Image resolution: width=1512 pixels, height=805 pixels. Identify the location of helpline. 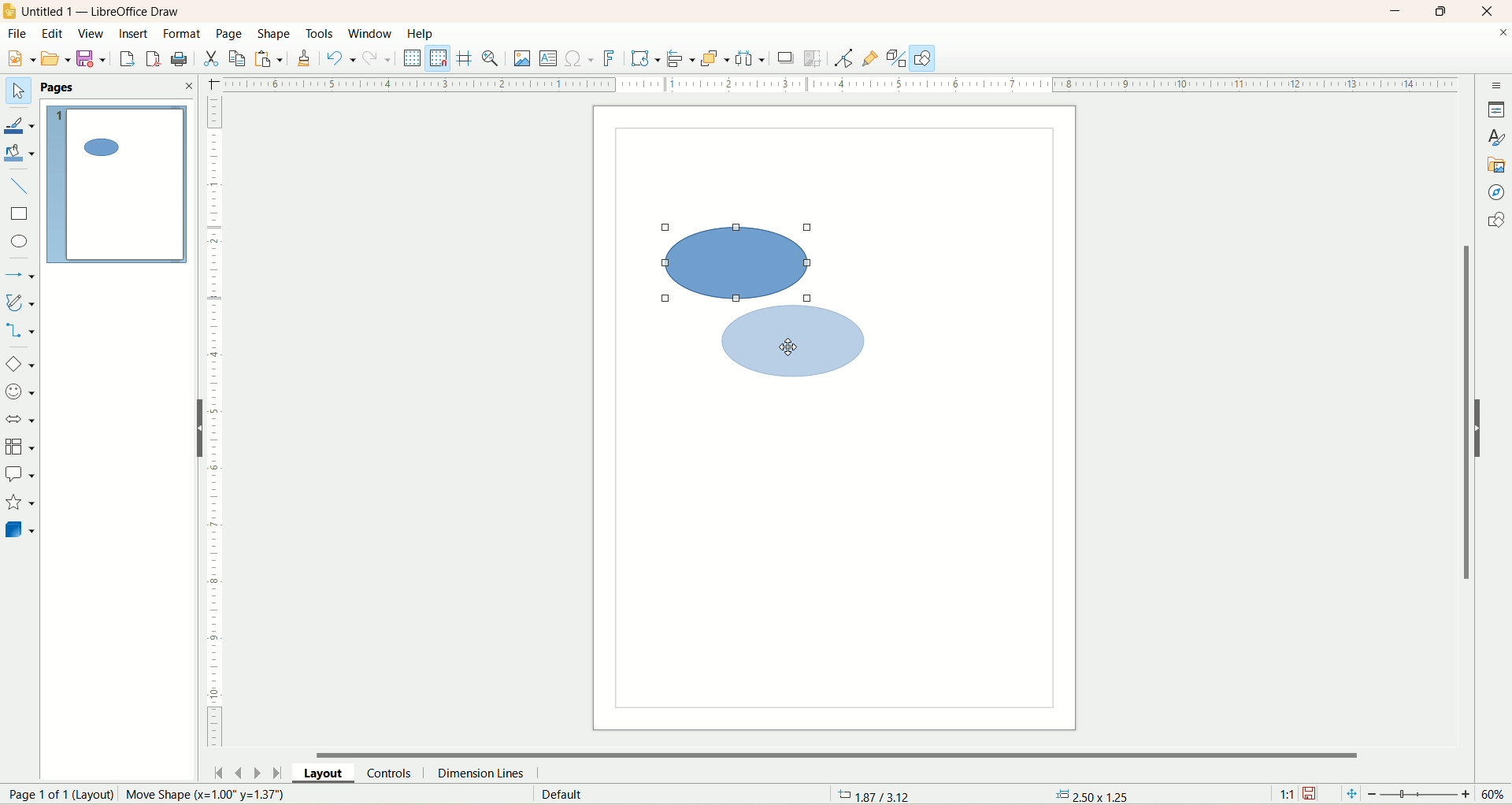
(465, 60).